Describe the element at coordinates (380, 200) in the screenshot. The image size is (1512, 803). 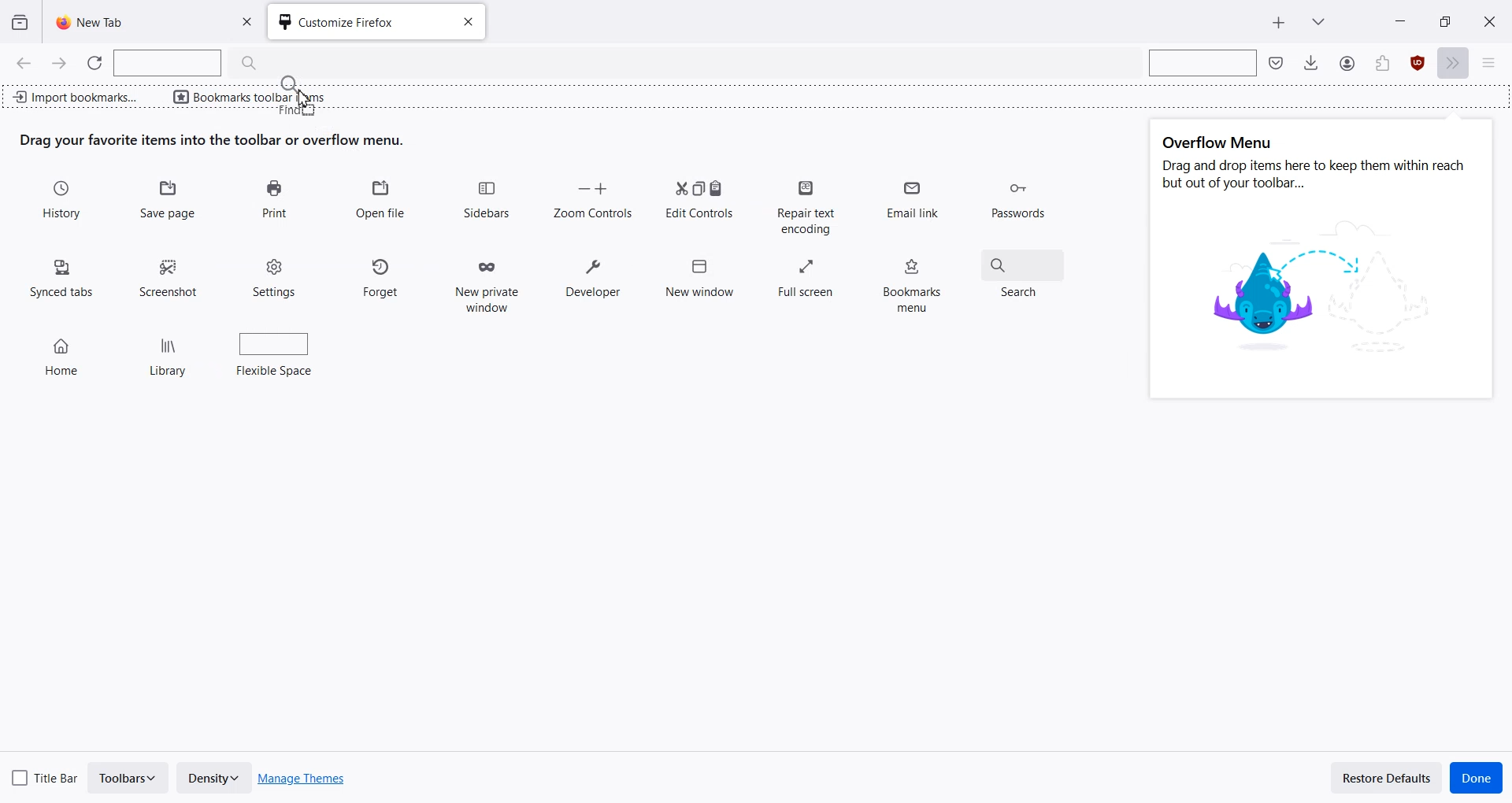
I see `Open file` at that location.